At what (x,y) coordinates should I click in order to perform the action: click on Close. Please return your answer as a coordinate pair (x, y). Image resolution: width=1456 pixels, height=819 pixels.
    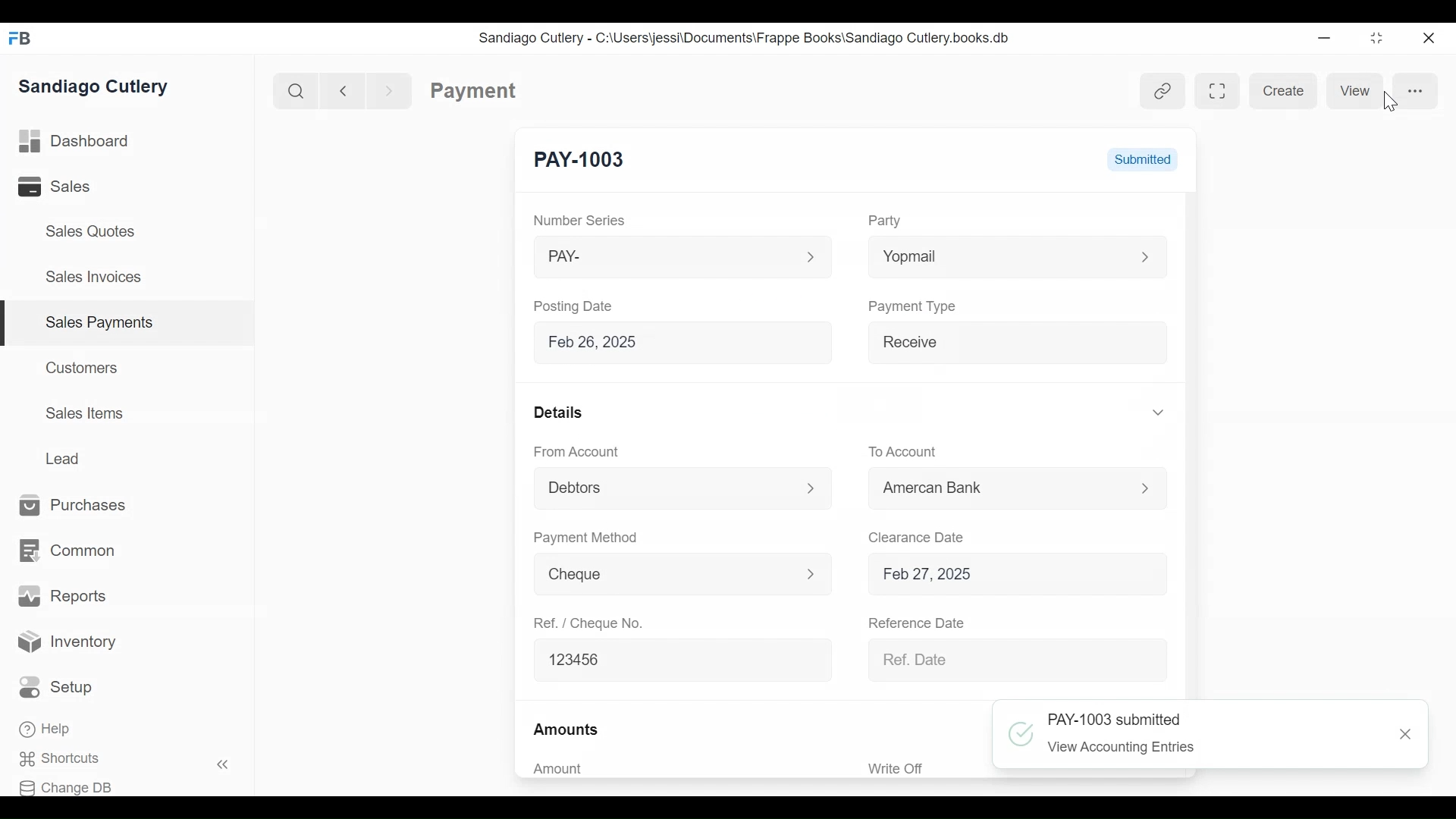
    Looking at the image, I should click on (1407, 733).